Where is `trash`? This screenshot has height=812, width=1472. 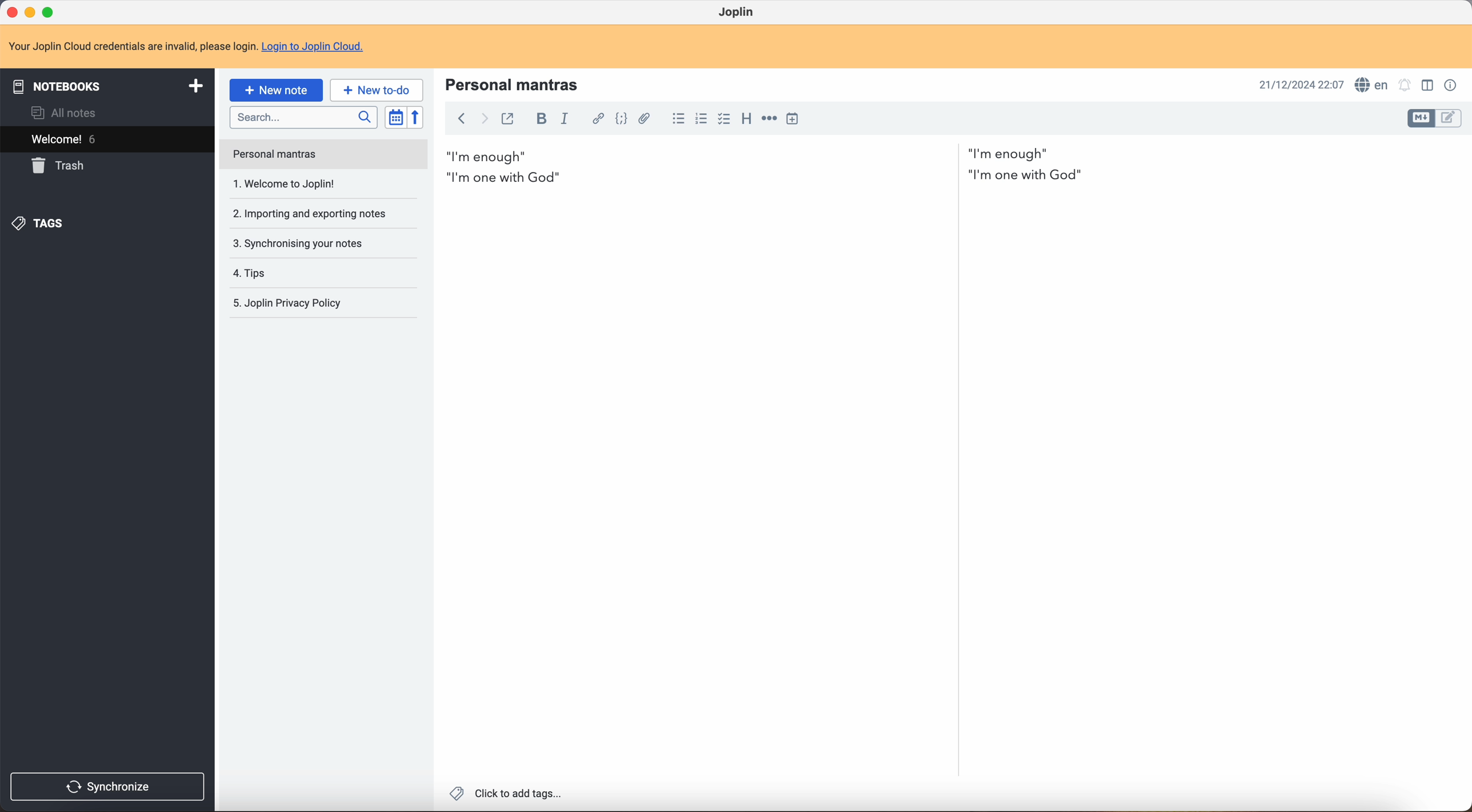 trash is located at coordinates (61, 166).